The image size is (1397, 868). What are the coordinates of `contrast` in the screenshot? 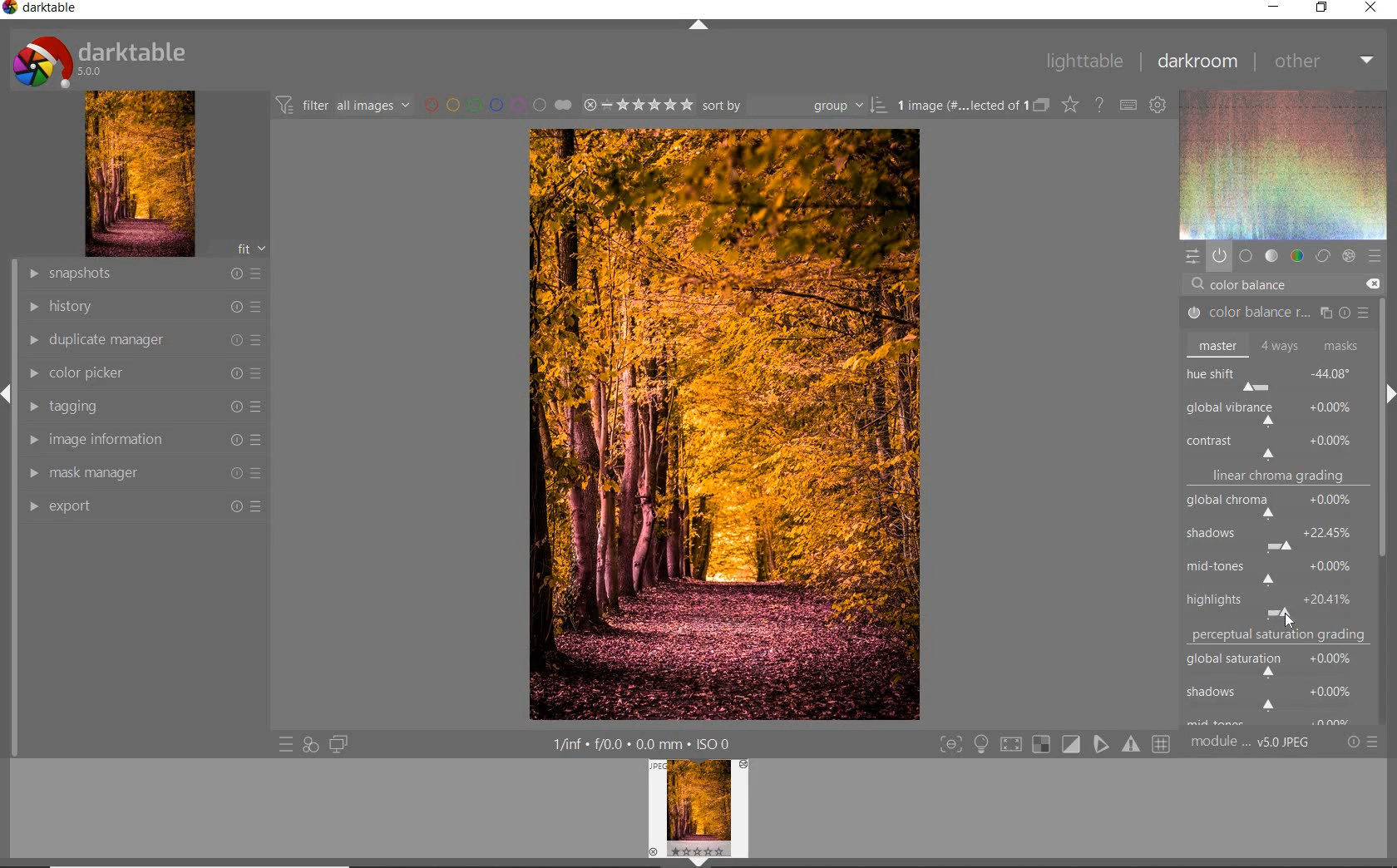 It's located at (1276, 445).